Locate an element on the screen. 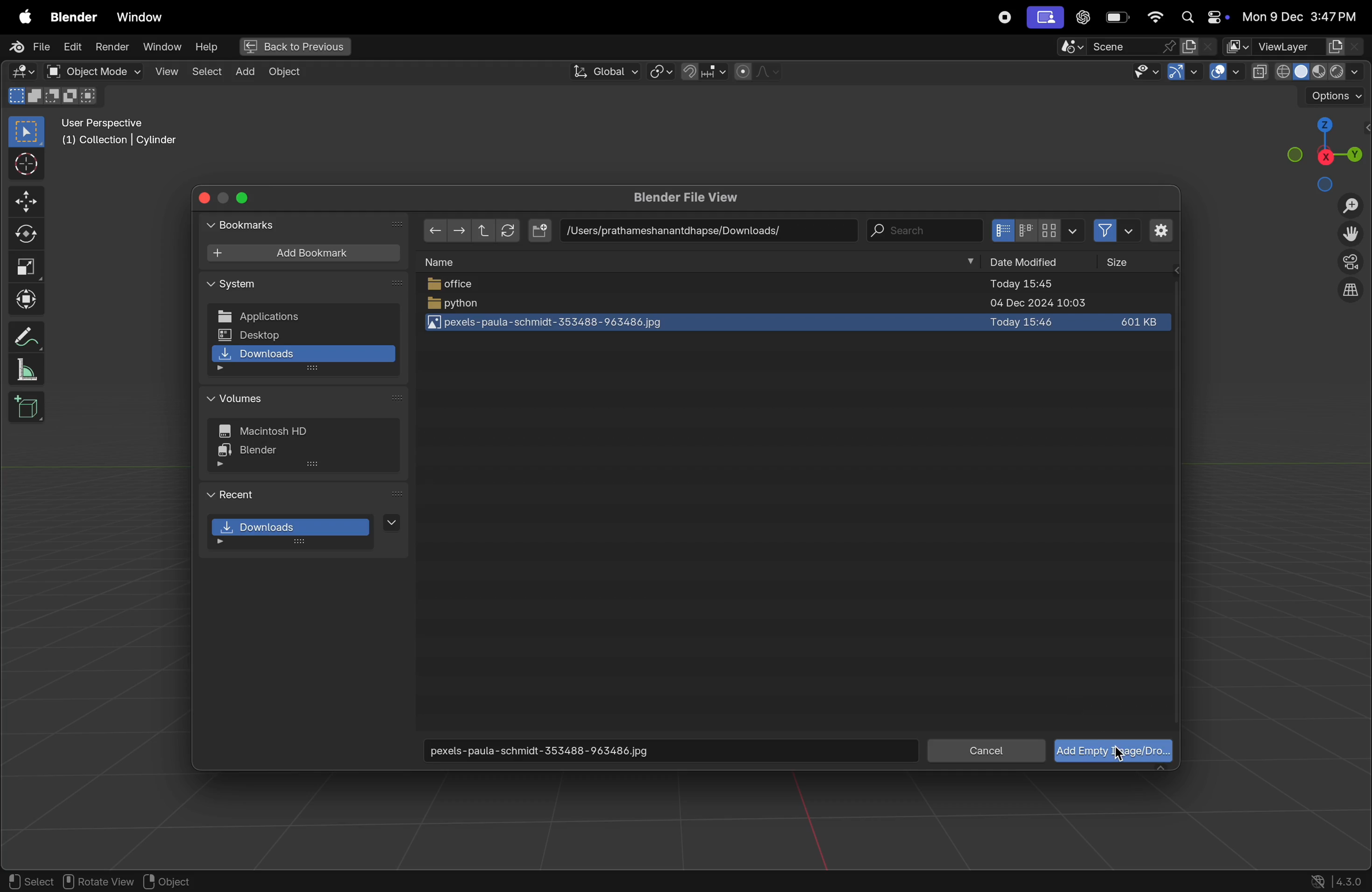 This screenshot has height=892, width=1372. Blender is located at coordinates (70, 14).